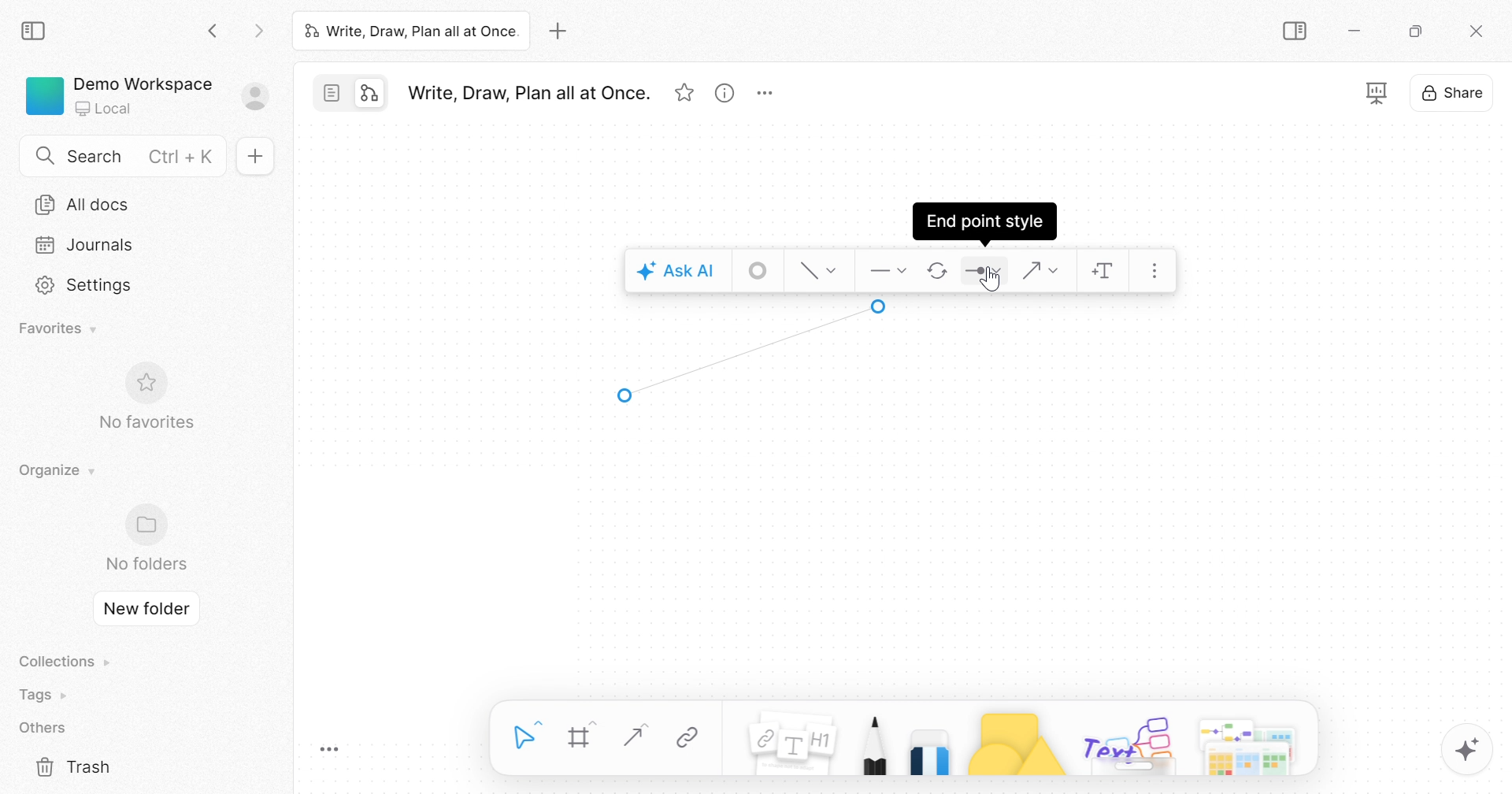 This screenshot has height=794, width=1512. What do you see at coordinates (146, 563) in the screenshot?
I see `No folders` at bounding box center [146, 563].